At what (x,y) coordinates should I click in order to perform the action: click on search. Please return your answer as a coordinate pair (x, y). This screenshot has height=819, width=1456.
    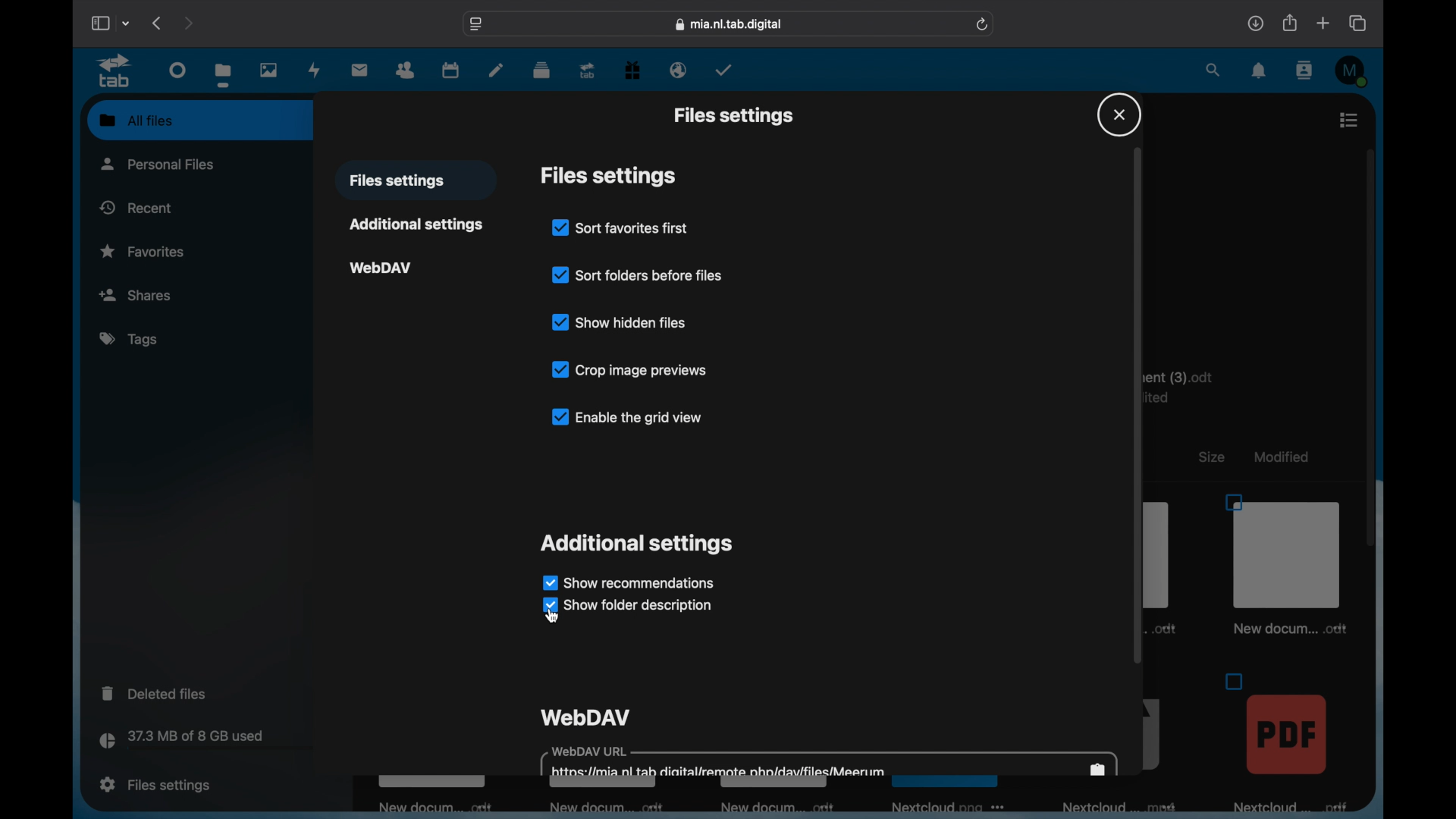
    Looking at the image, I should click on (1214, 69).